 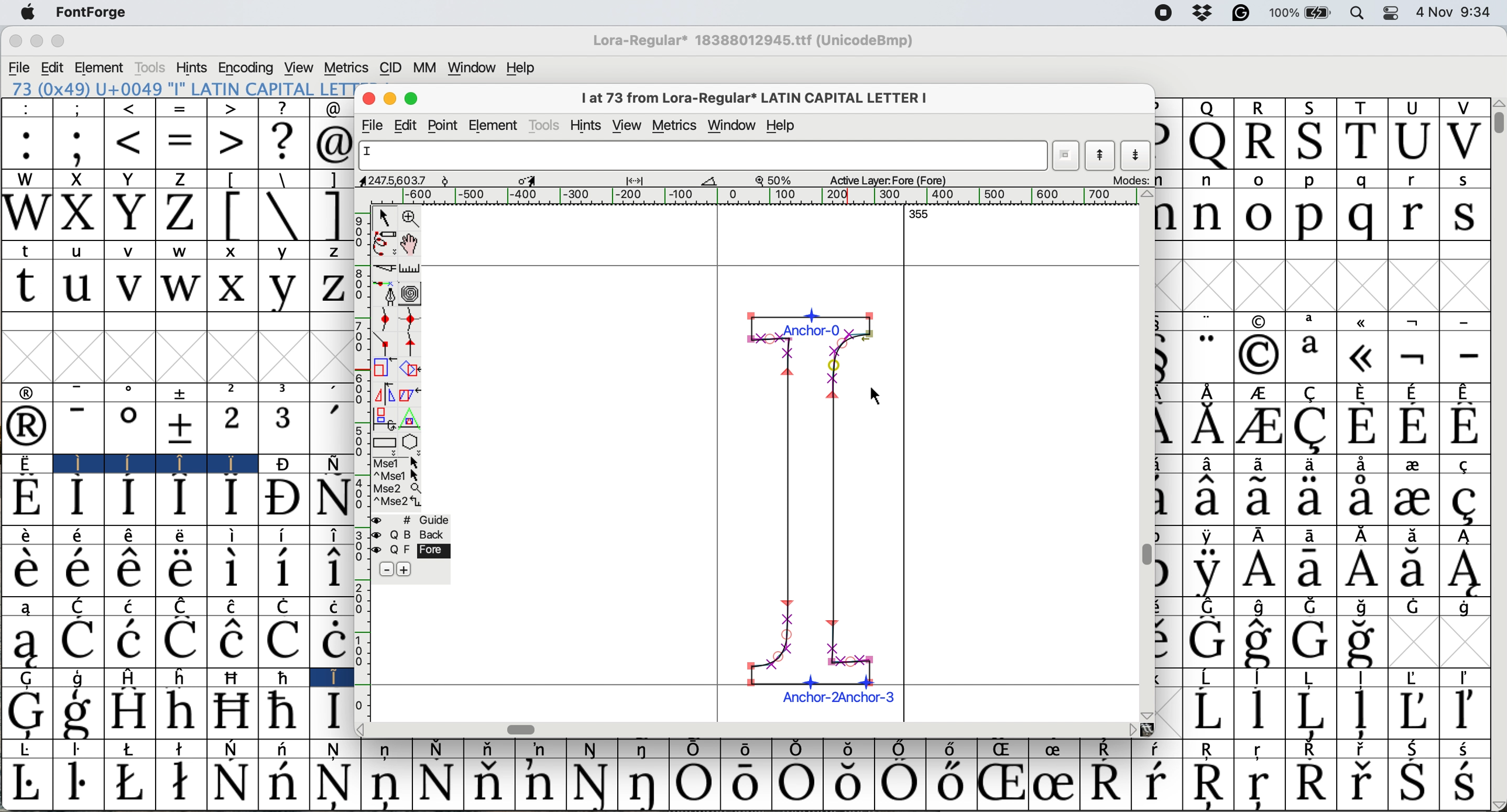 What do you see at coordinates (1417, 749) in the screenshot?
I see `Symbol` at bounding box center [1417, 749].